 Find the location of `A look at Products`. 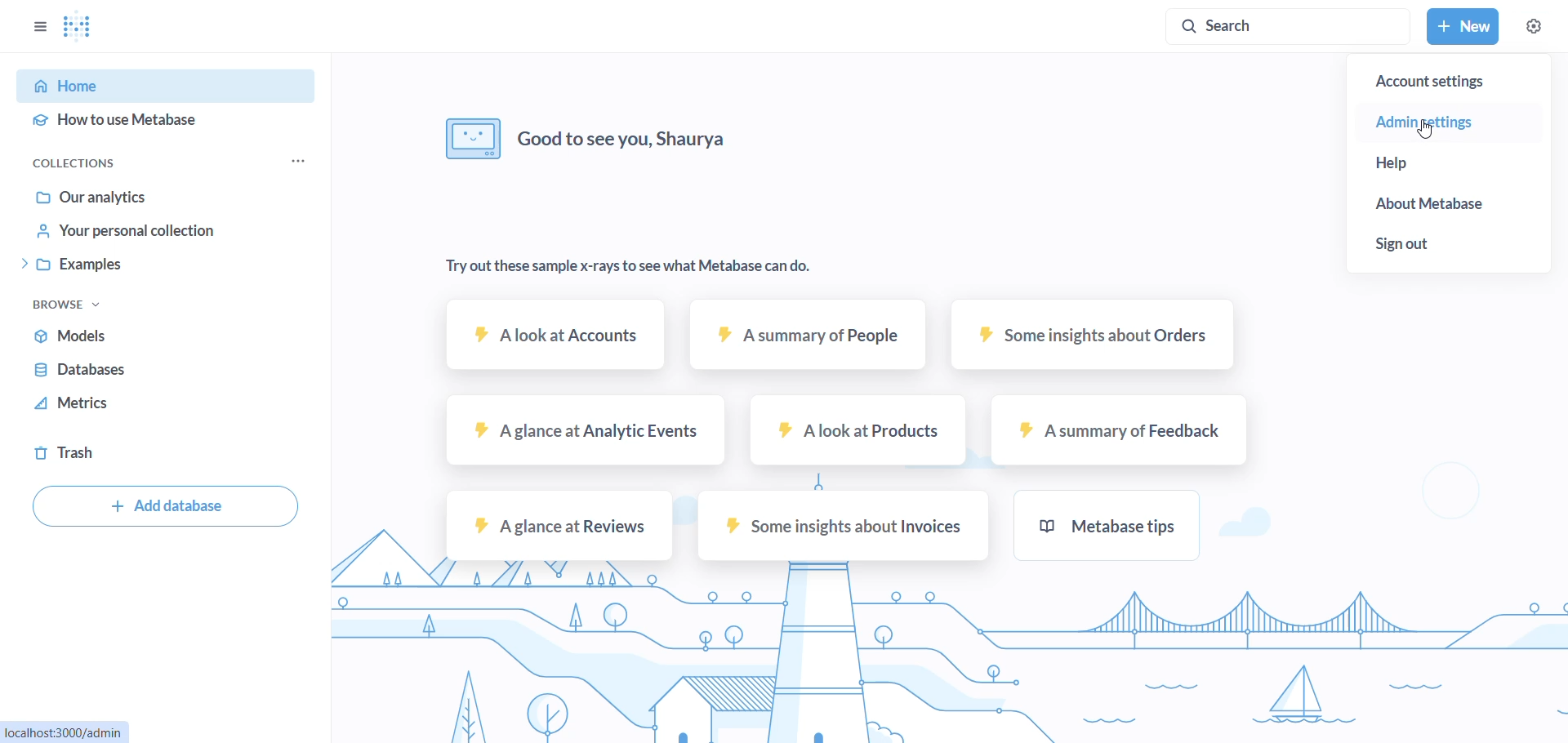

A look at Products is located at coordinates (858, 430).